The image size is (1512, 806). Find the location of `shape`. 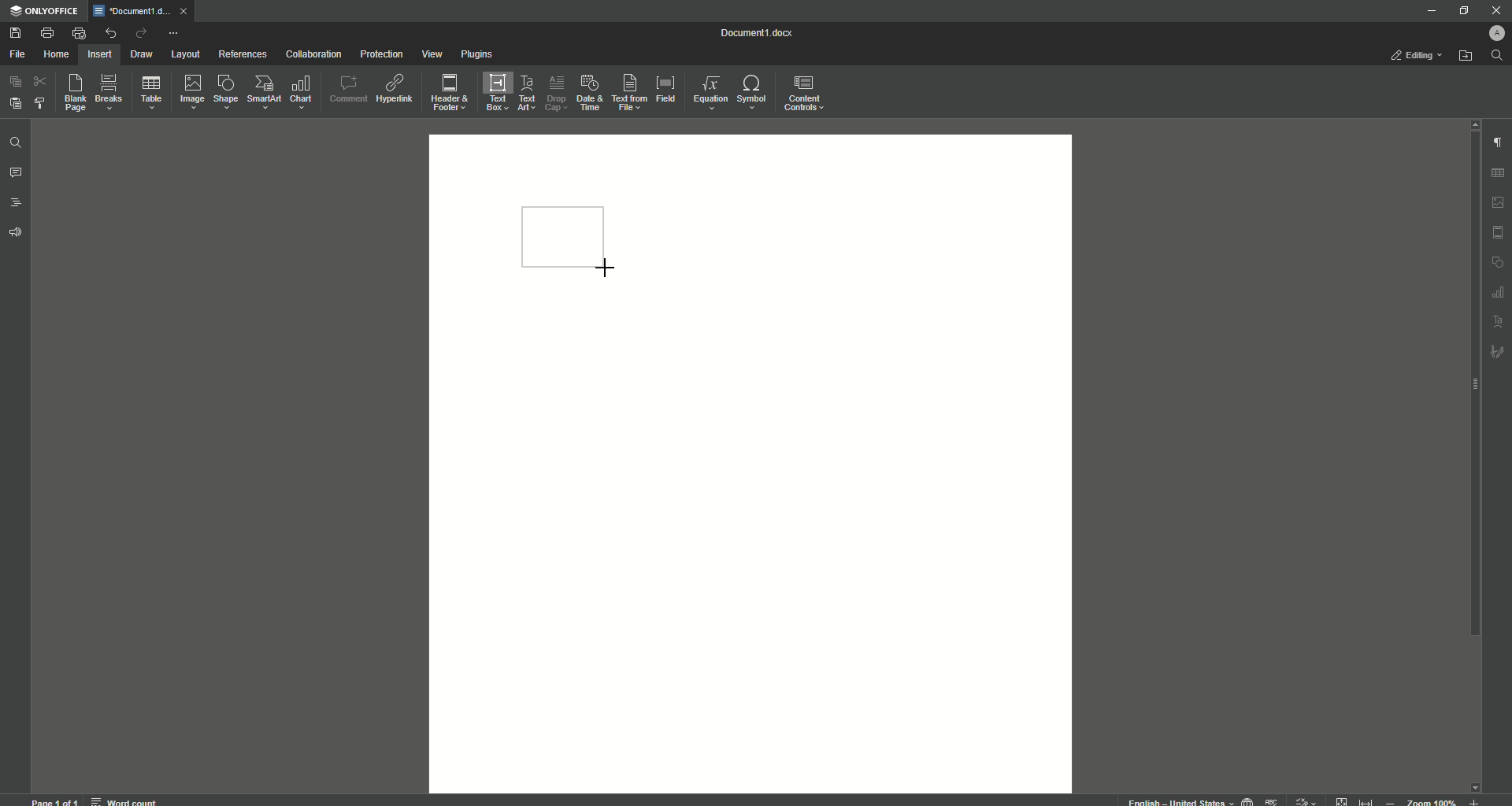

shape is located at coordinates (1498, 263).